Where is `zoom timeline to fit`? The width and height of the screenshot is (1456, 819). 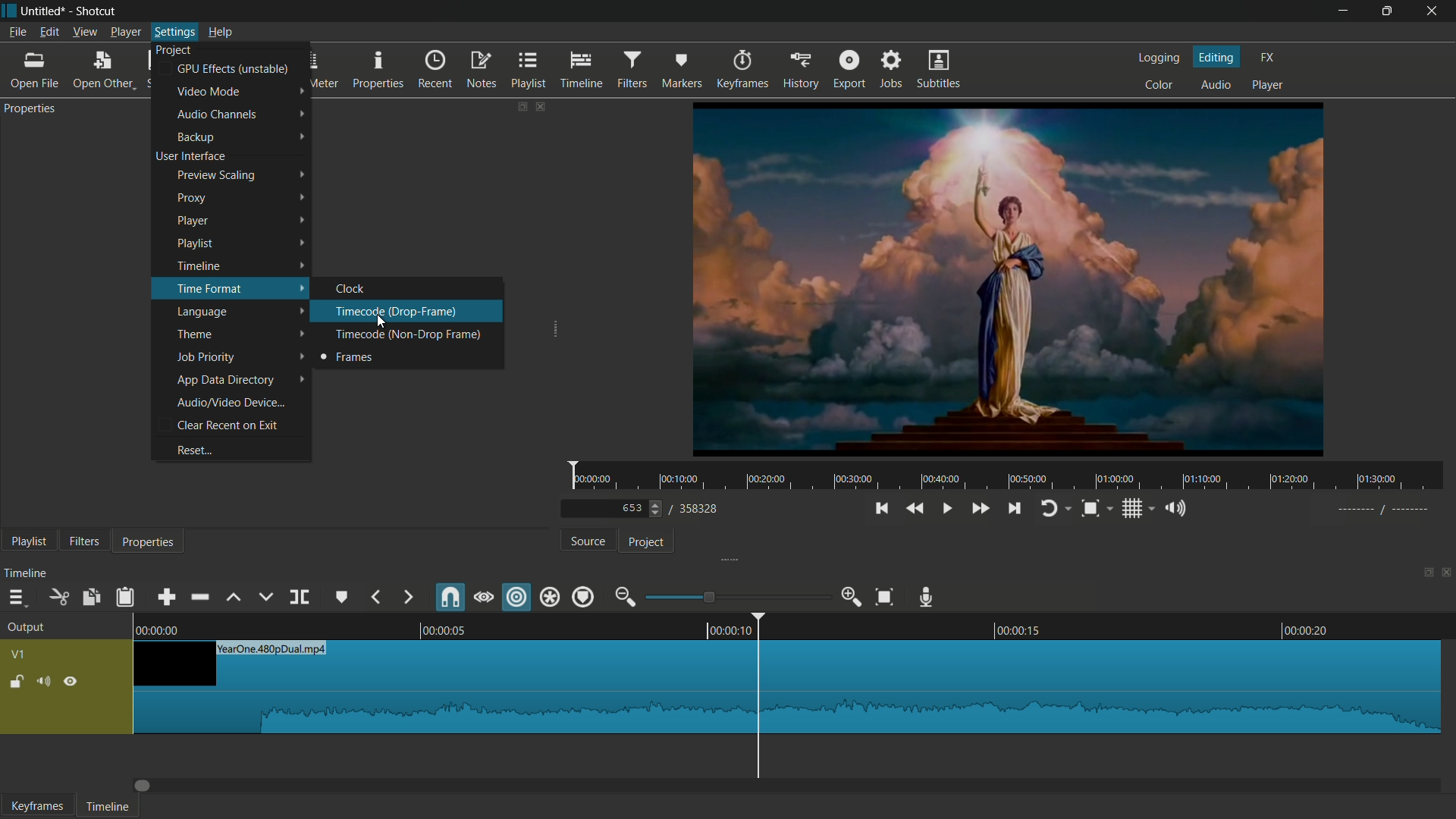 zoom timeline to fit is located at coordinates (883, 598).